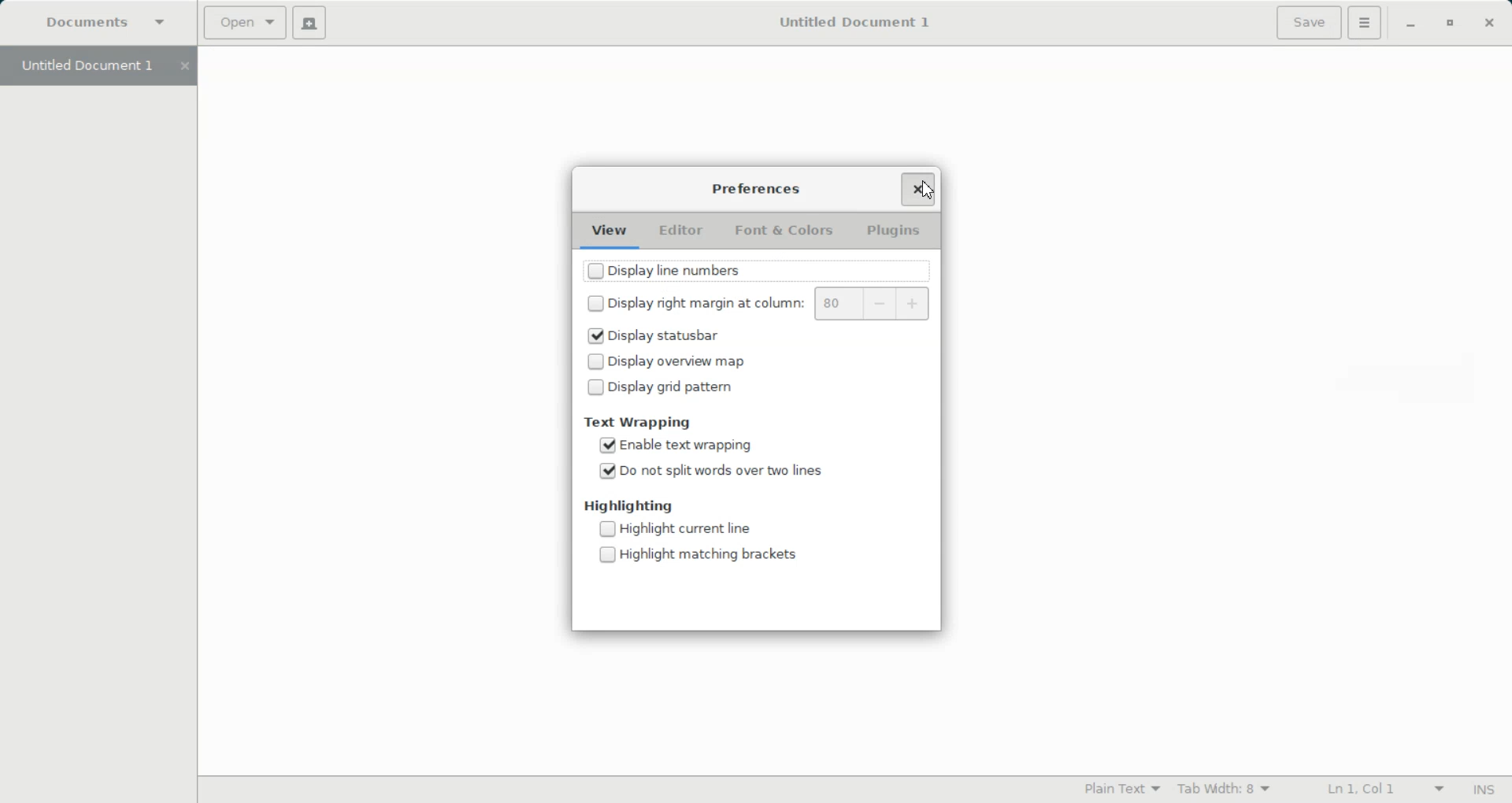  What do you see at coordinates (1123, 788) in the screenshot?
I see `Highlighting Mode` at bounding box center [1123, 788].